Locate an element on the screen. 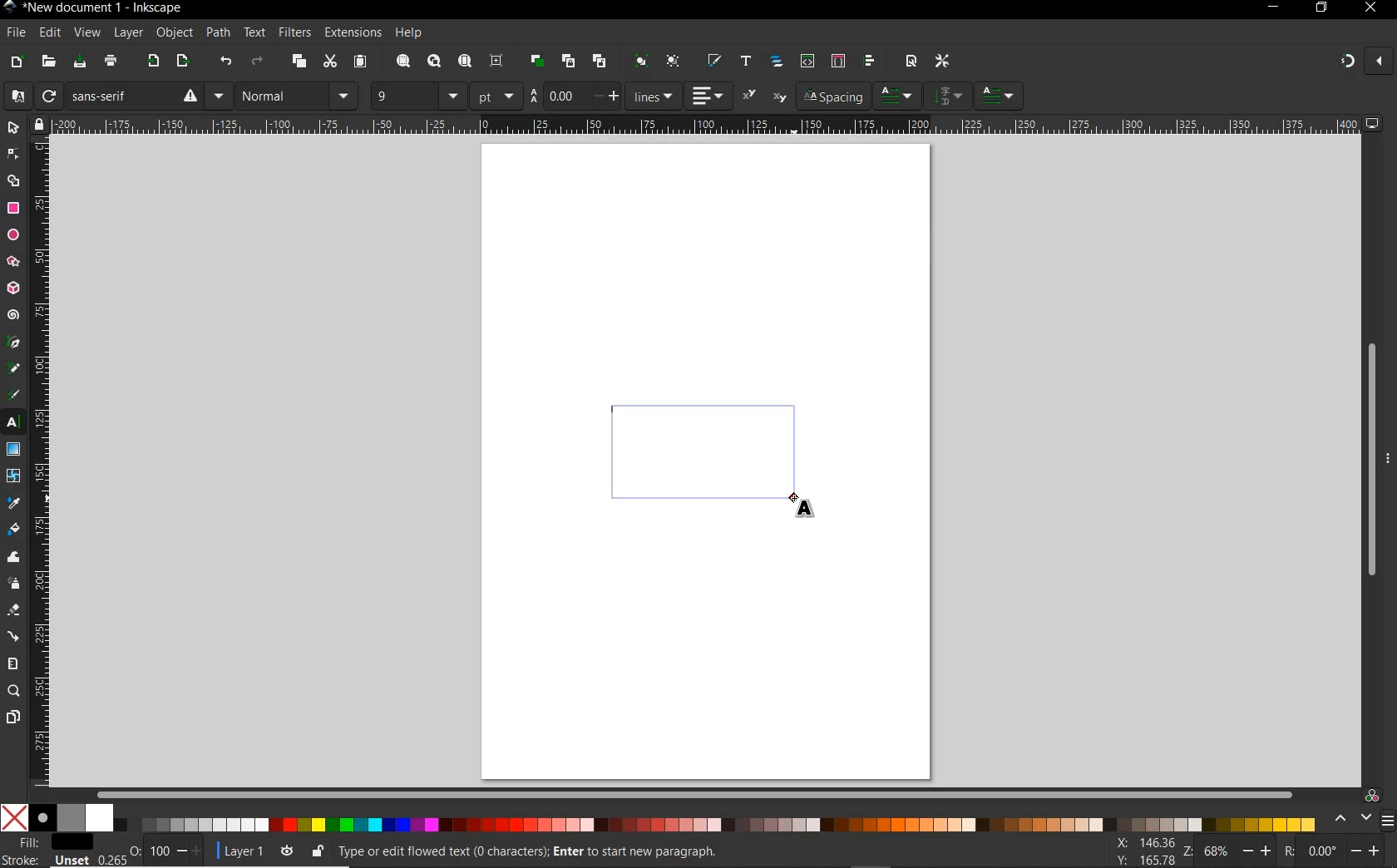 The width and height of the screenshot is (1397, 868). duplicate is located at coordinates (537, 58).